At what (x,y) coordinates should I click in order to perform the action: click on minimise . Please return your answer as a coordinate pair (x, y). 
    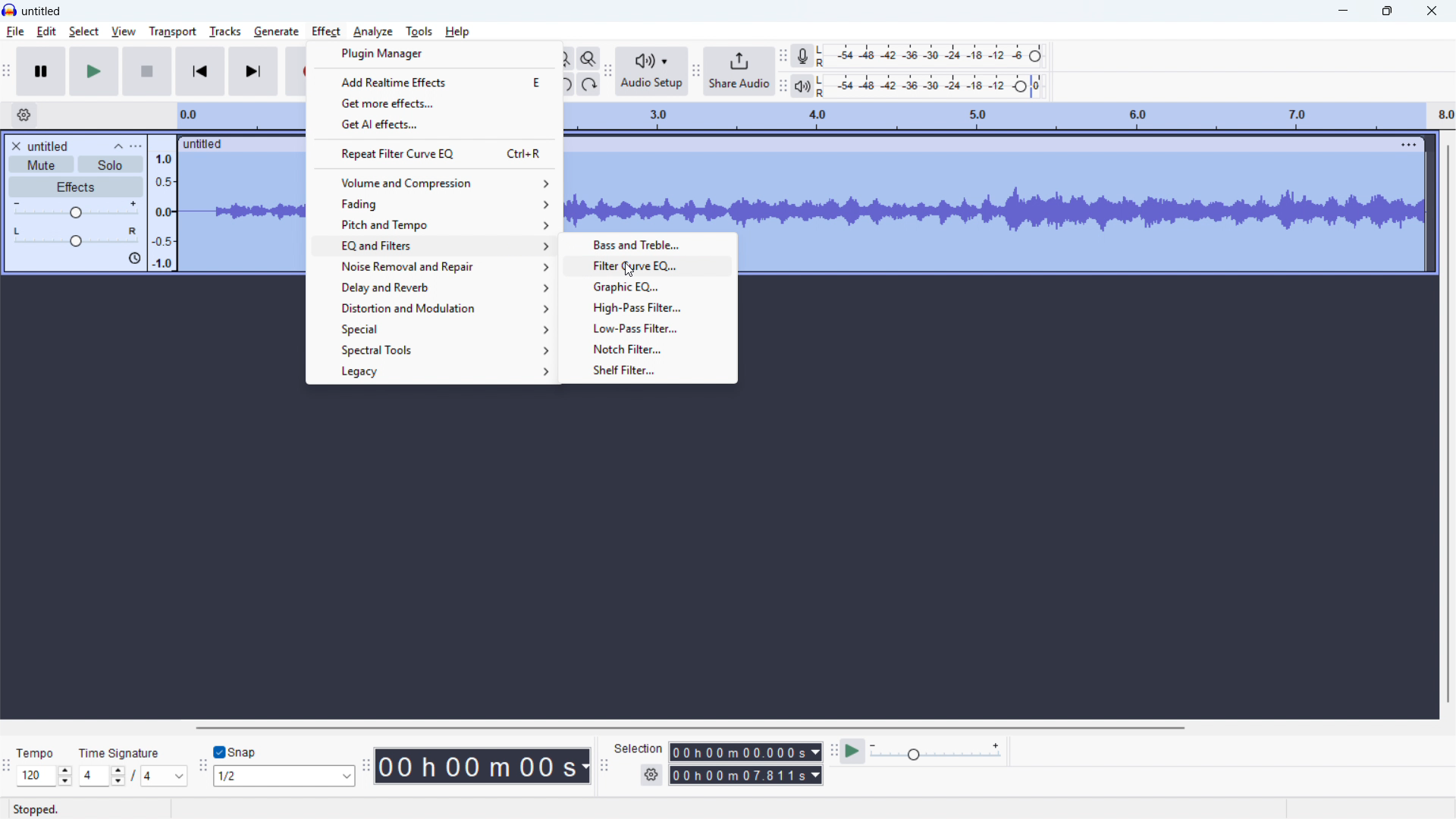
    Looking at the image, I should click on (1341, 11).